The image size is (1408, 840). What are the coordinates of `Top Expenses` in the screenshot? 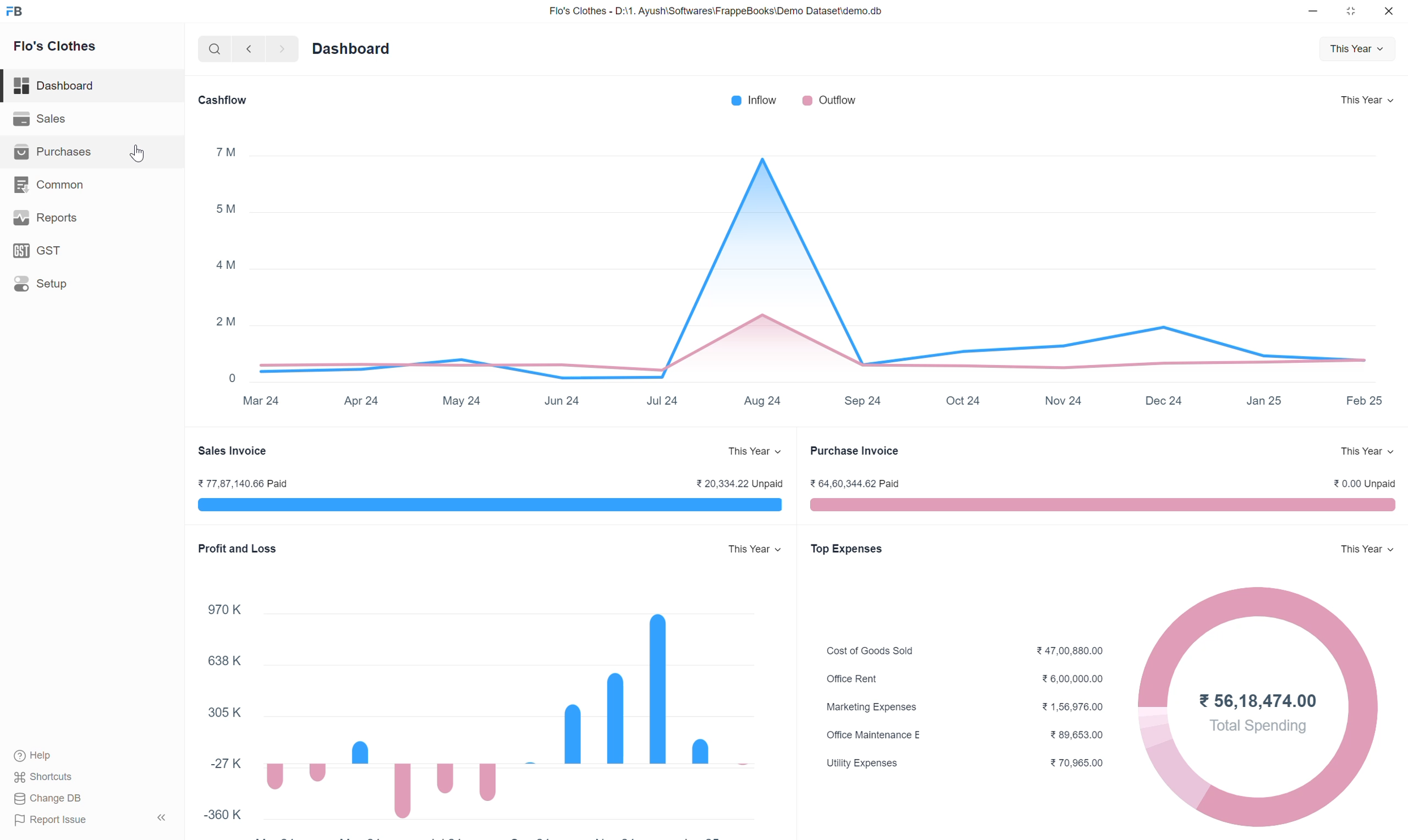 It's located at (846, 550).